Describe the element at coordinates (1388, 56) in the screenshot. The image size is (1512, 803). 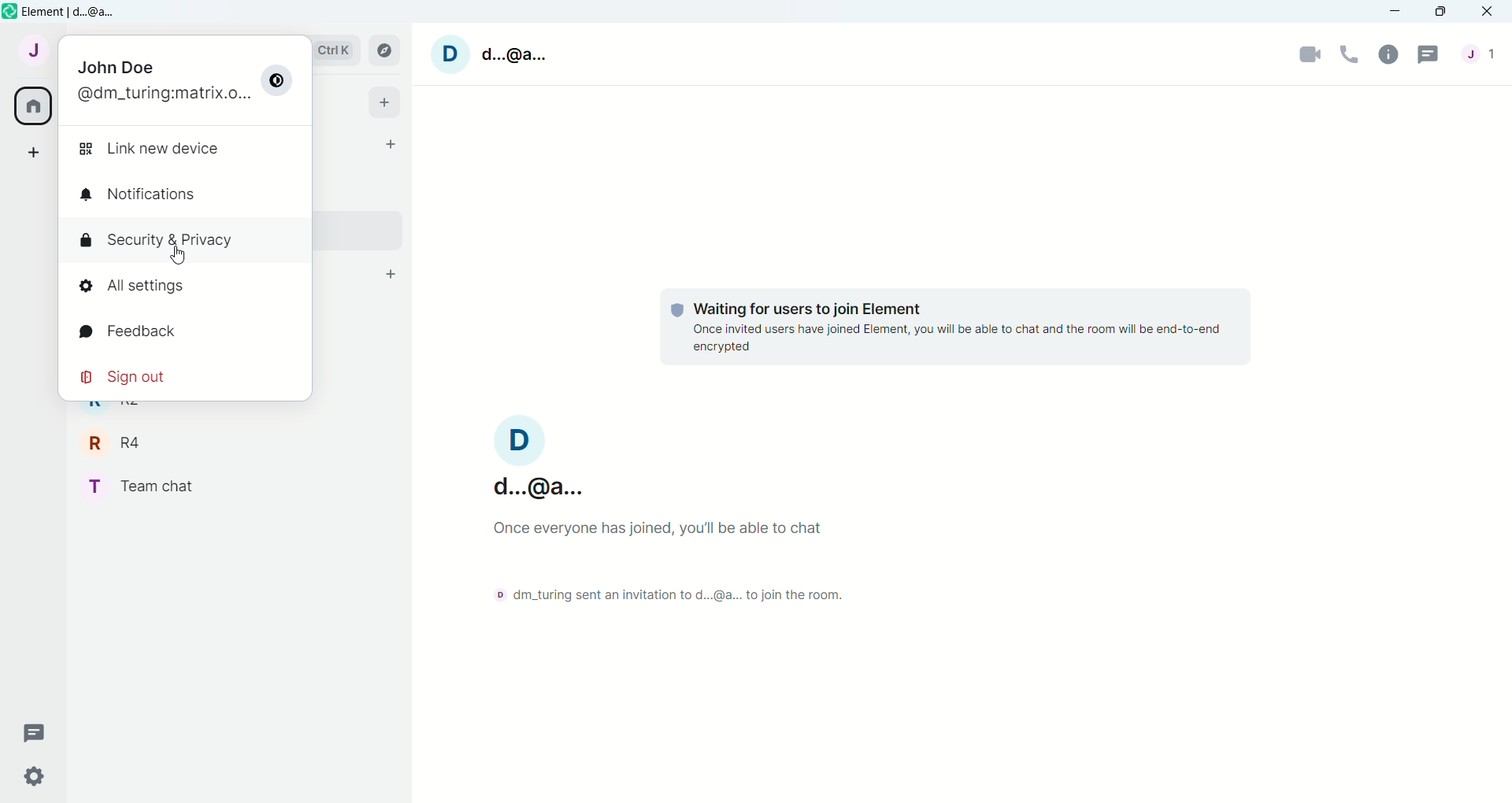
I see `info` at that location.